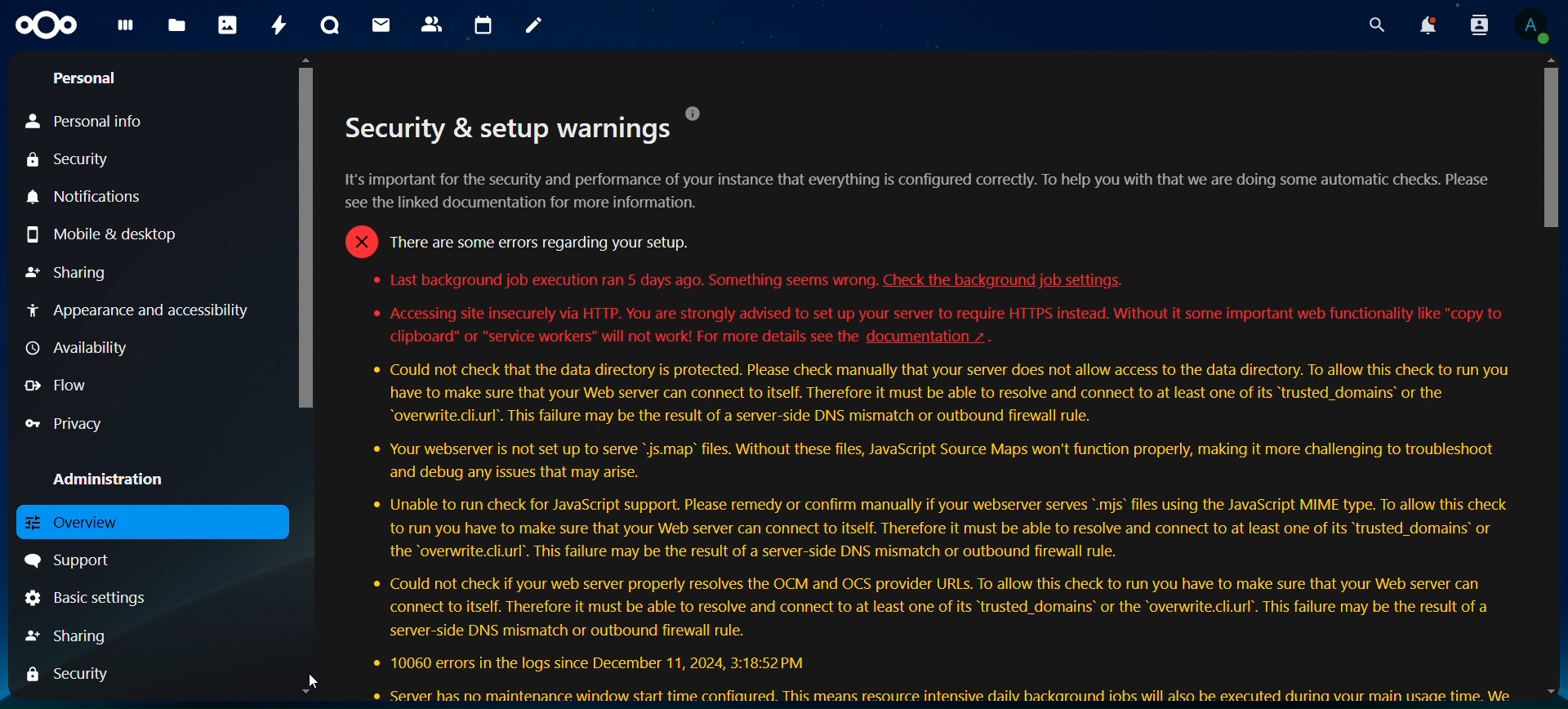 This screenshot has width=1568, height=709. I want to click on privacy, so click(75, 426).